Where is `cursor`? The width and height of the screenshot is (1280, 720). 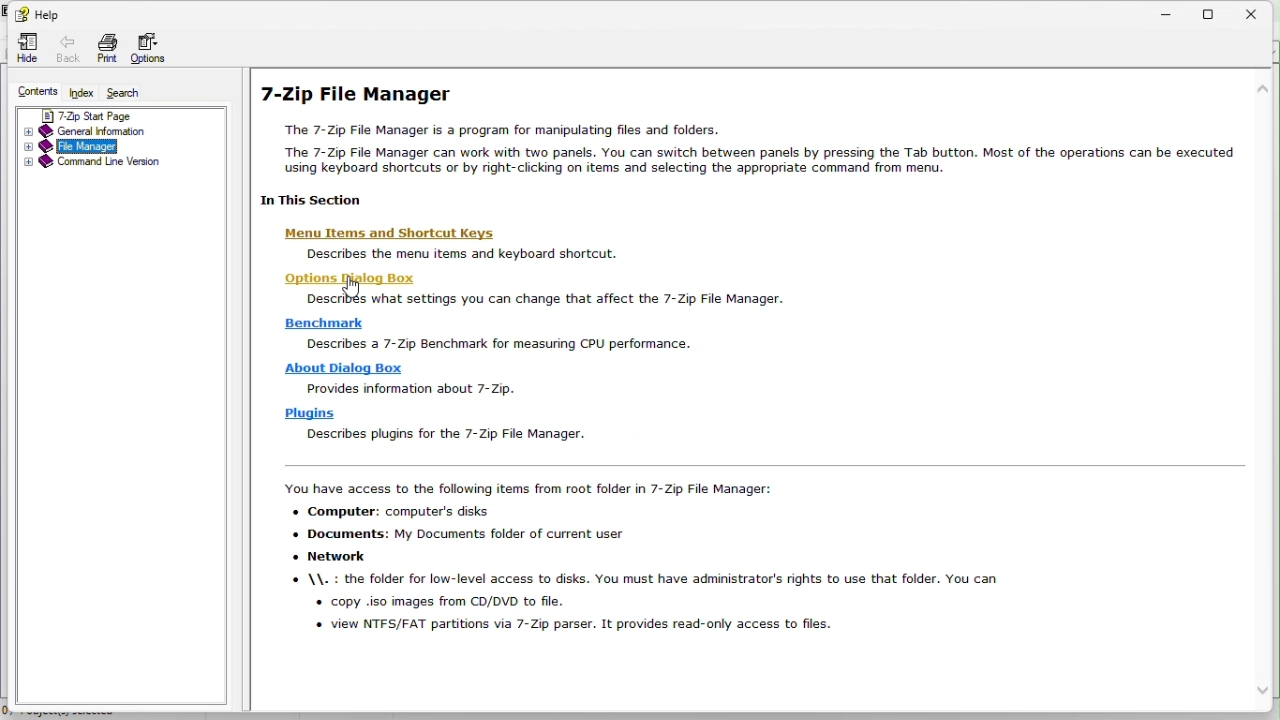 cursor is located at coordinates (349, 285).